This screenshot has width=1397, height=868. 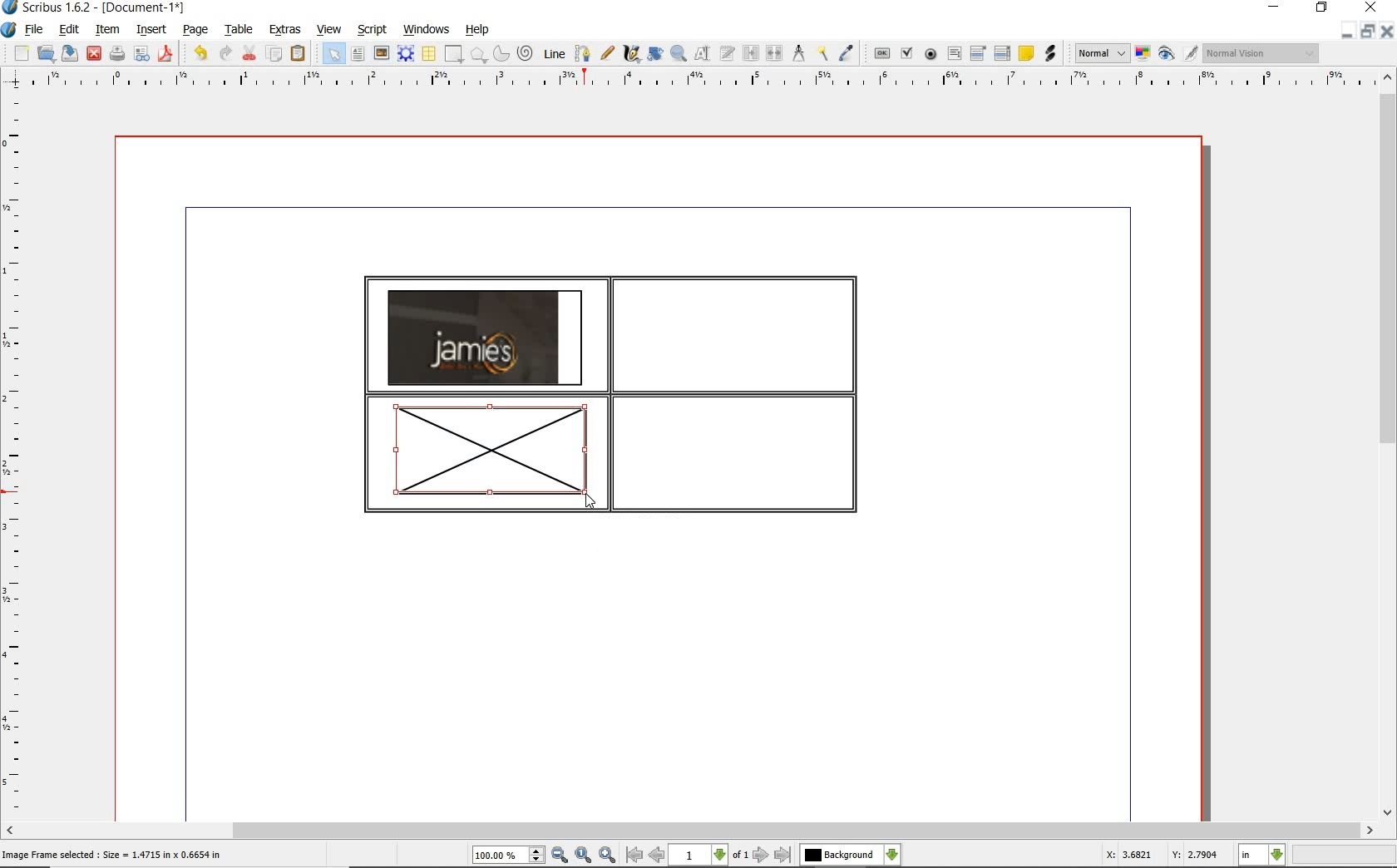 I want to click on zoom in or out, so click(x=678, y=54).